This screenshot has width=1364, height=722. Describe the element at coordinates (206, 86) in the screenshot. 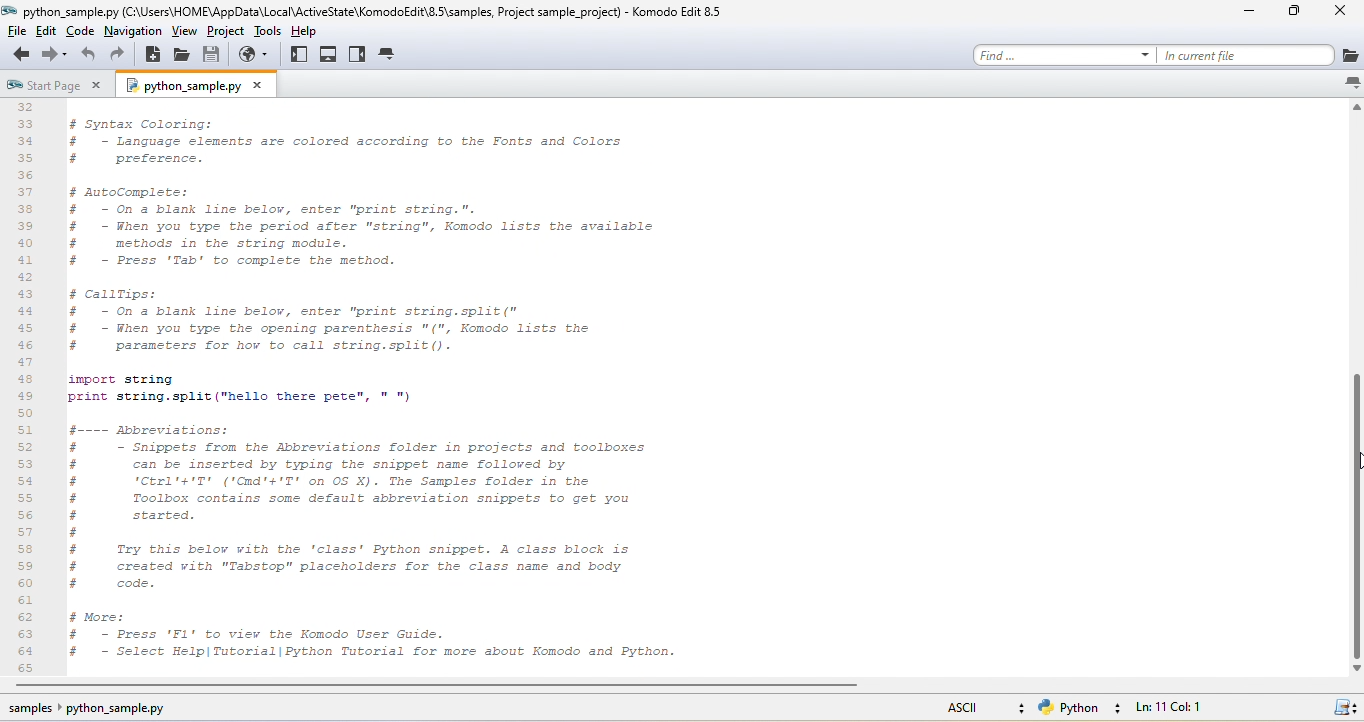

I see `python sample` at that location.